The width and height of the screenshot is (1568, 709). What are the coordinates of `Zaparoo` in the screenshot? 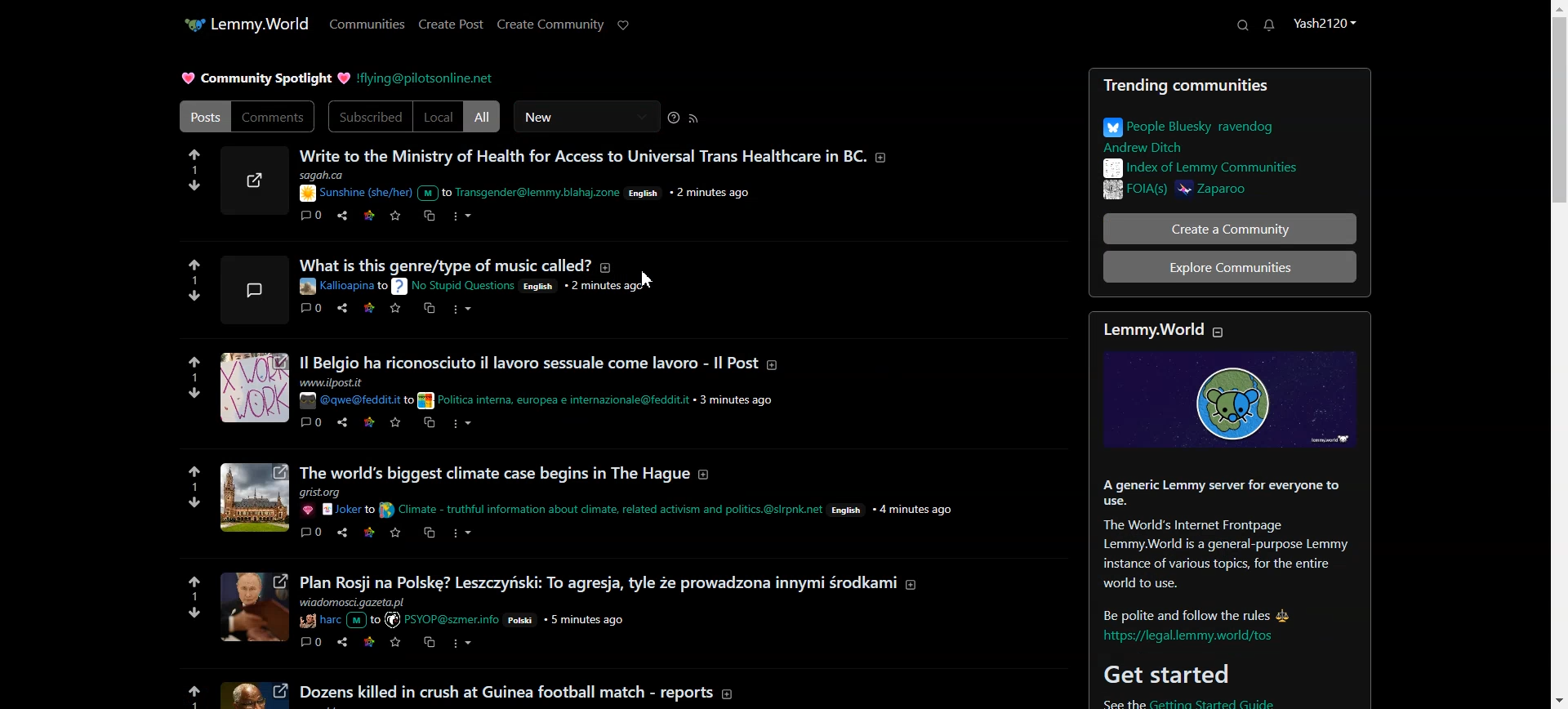 It's located at (1263, 192).